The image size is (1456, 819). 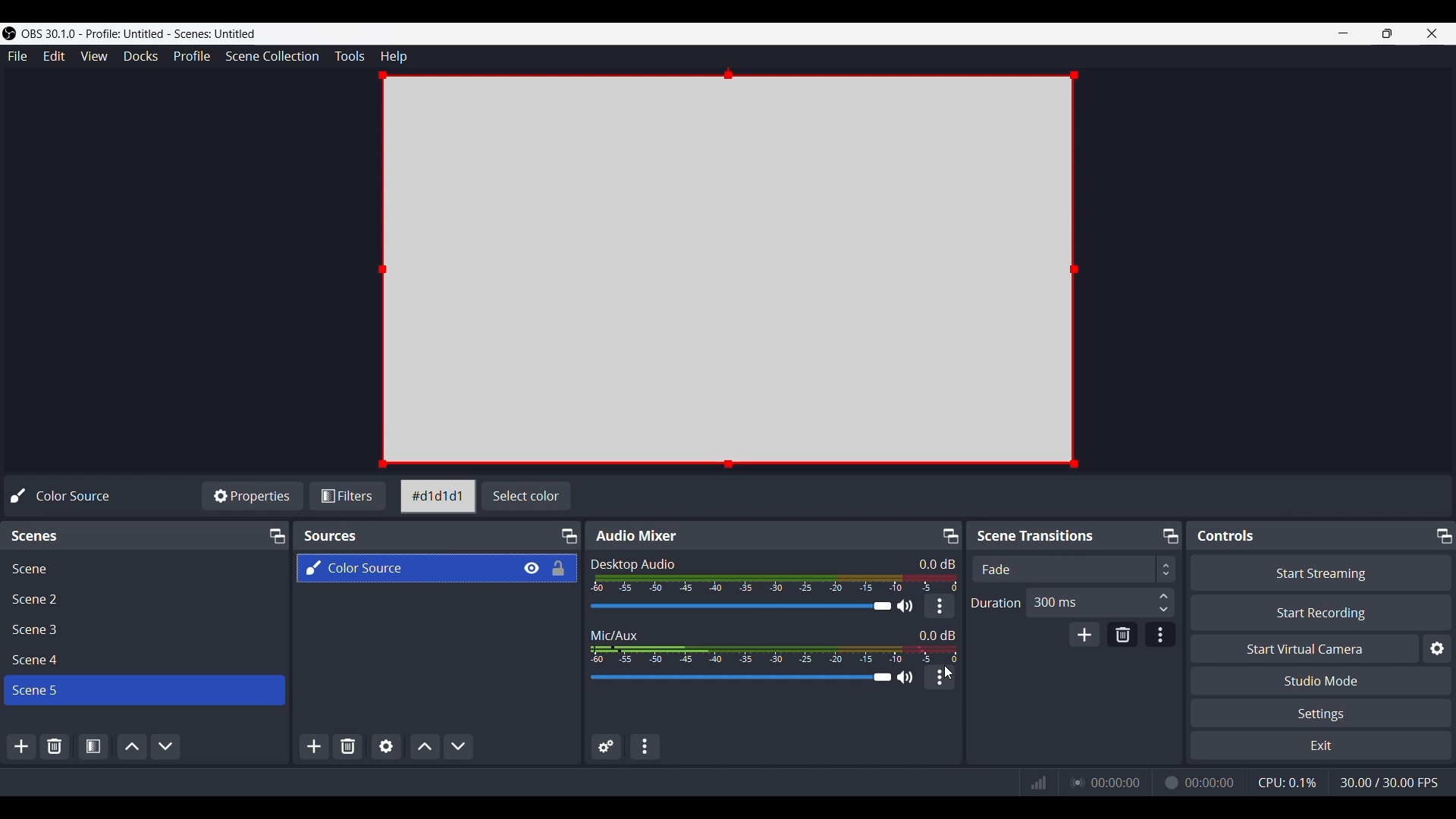 What do you see at coordinates (604, 746) in the screenshot?
I see `Advance audio properties` at bounding box center [604, 746].